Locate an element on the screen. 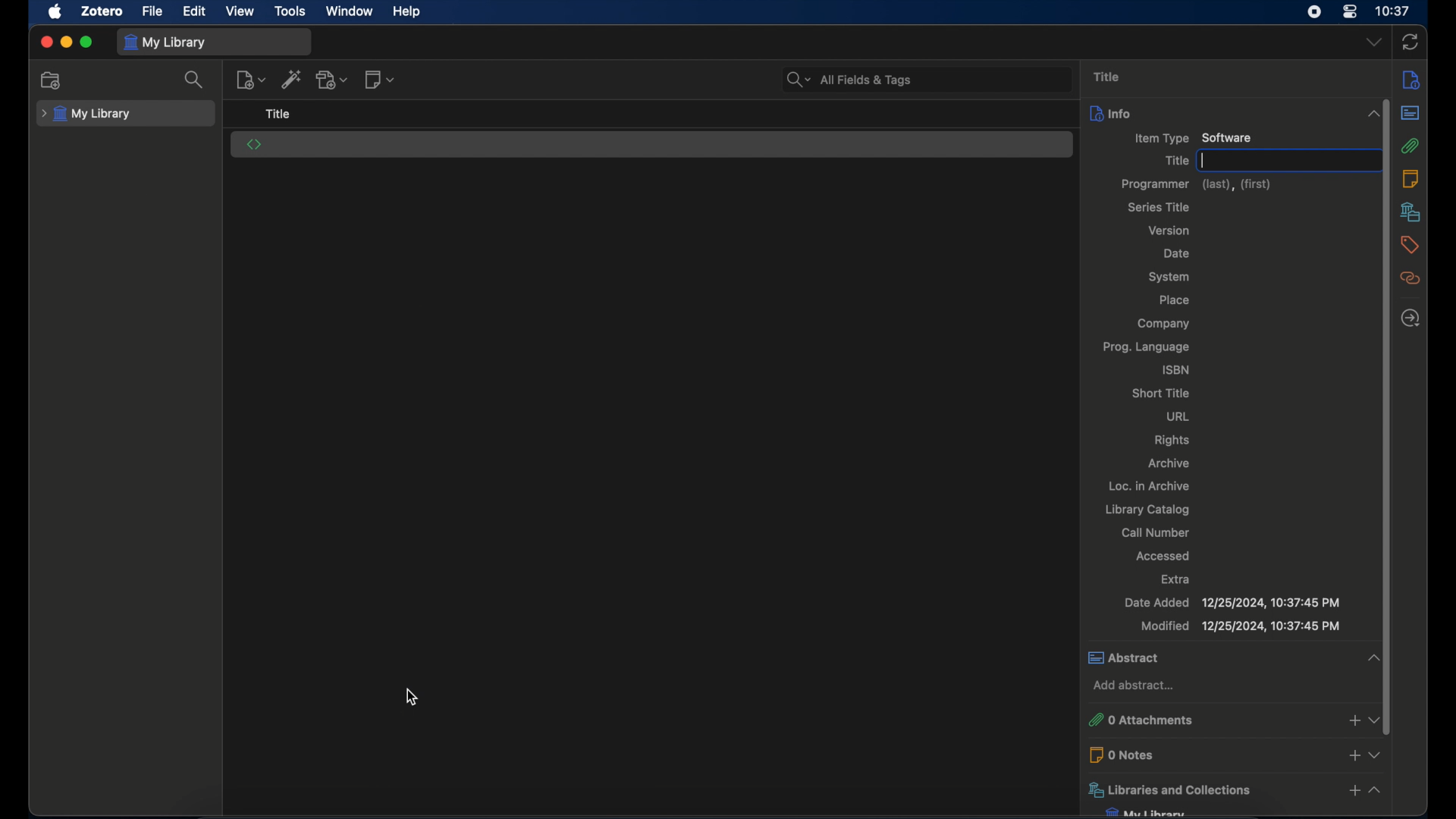  help is located at coordinates (406, 12).